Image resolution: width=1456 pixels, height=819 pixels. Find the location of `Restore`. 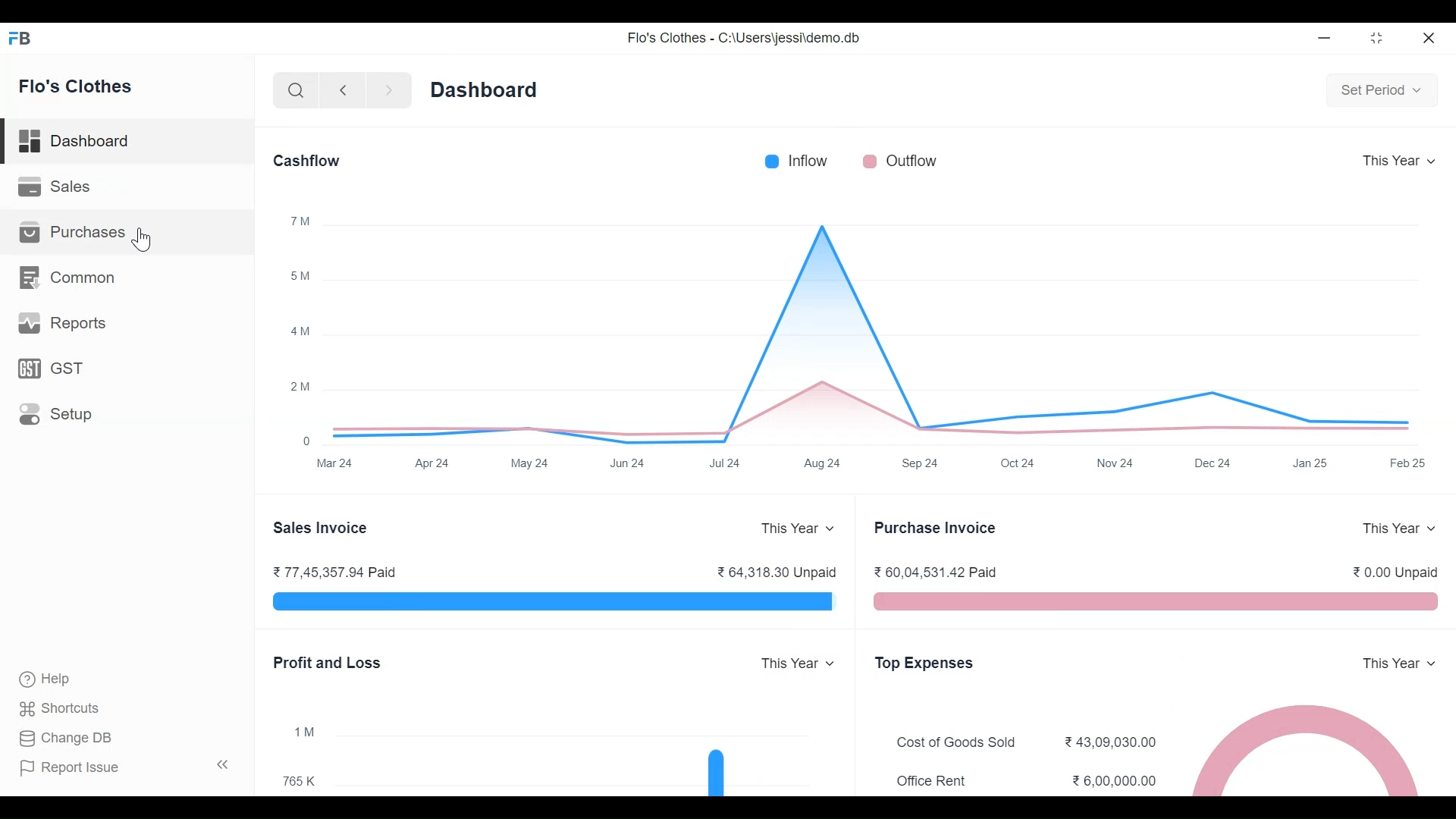

Restore is located at coordinates (1376, 39).